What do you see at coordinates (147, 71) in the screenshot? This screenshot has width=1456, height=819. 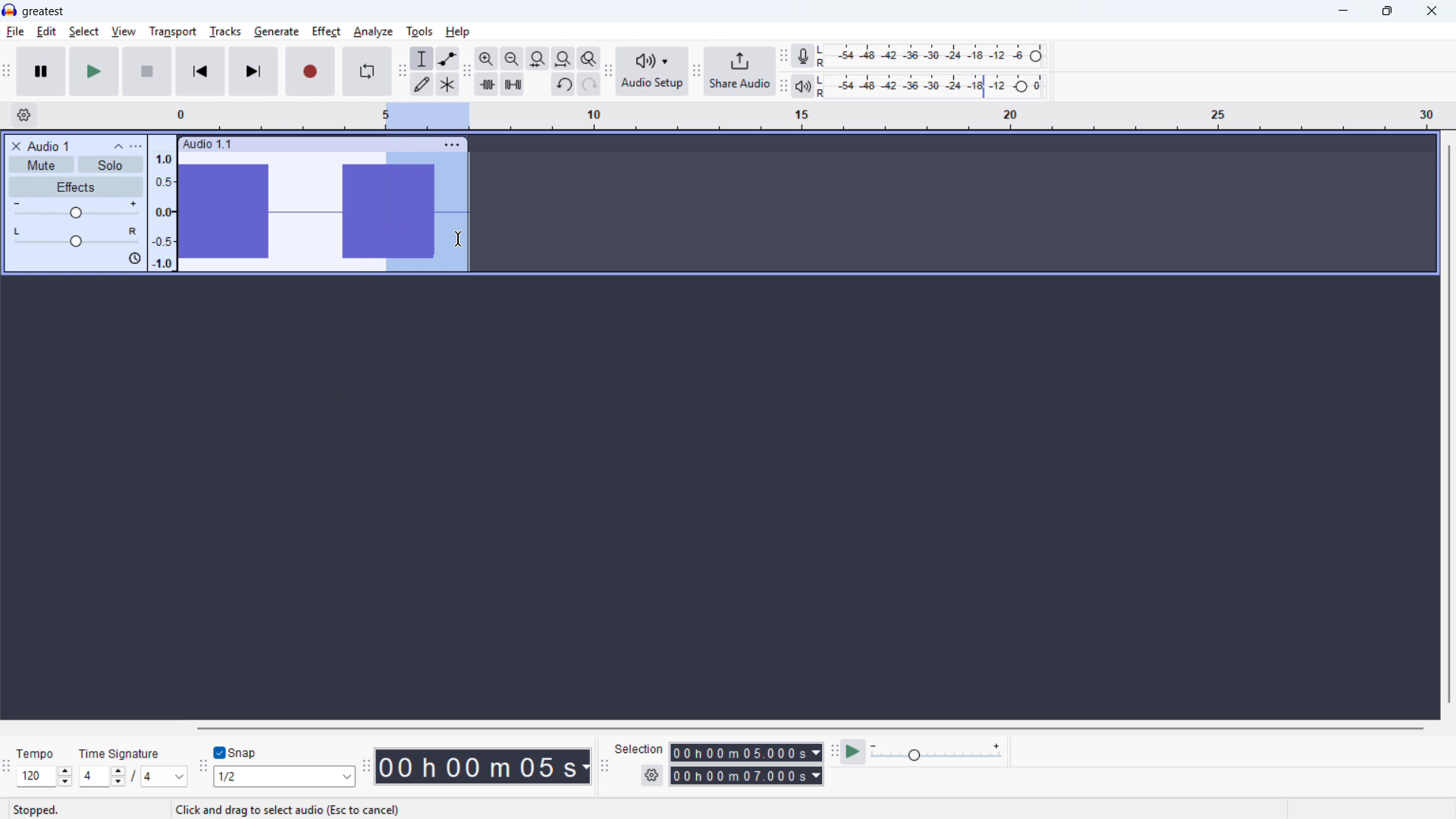 I see `stop ` at bounding box center [147, 71].